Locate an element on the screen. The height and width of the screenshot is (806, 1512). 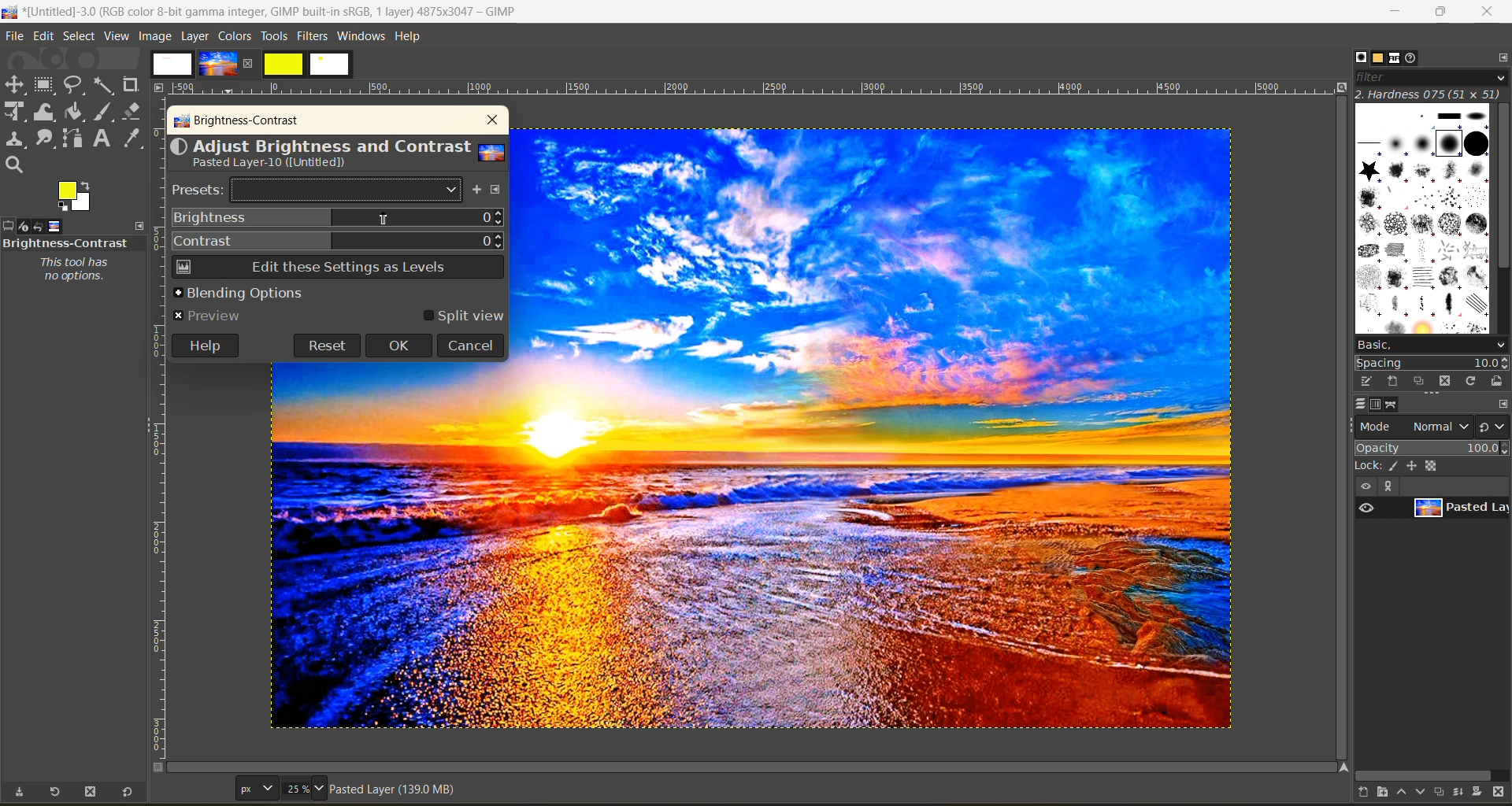
restore tool preset is located at coordinates (52, 793).